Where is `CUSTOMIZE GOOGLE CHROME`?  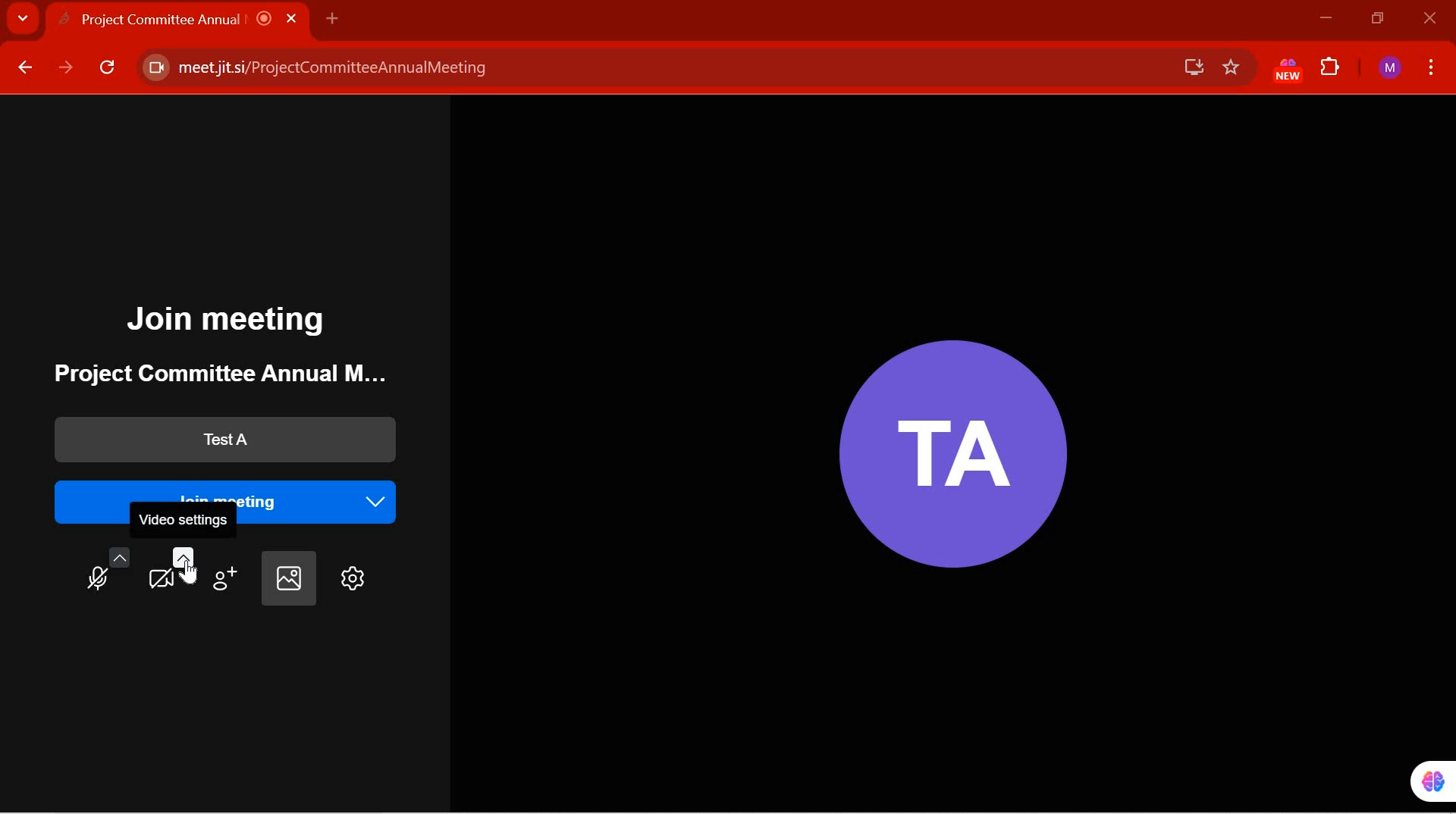 CUSTOMIZE GOOGLE CHROME is located at coordinates (1432, 66).